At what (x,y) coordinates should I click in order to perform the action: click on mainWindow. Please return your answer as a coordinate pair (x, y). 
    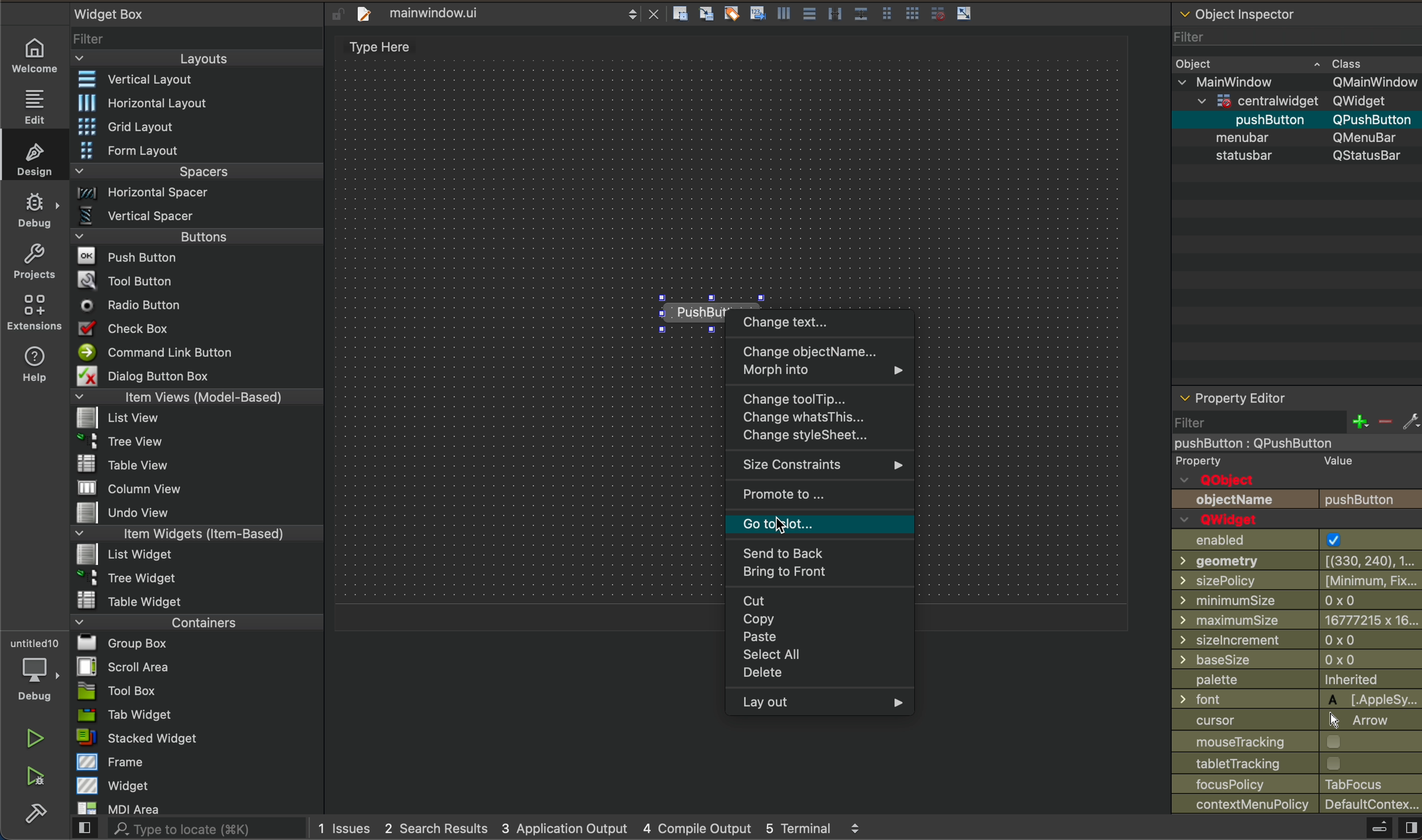
    Looking at the image, I should click on (1296, 81).